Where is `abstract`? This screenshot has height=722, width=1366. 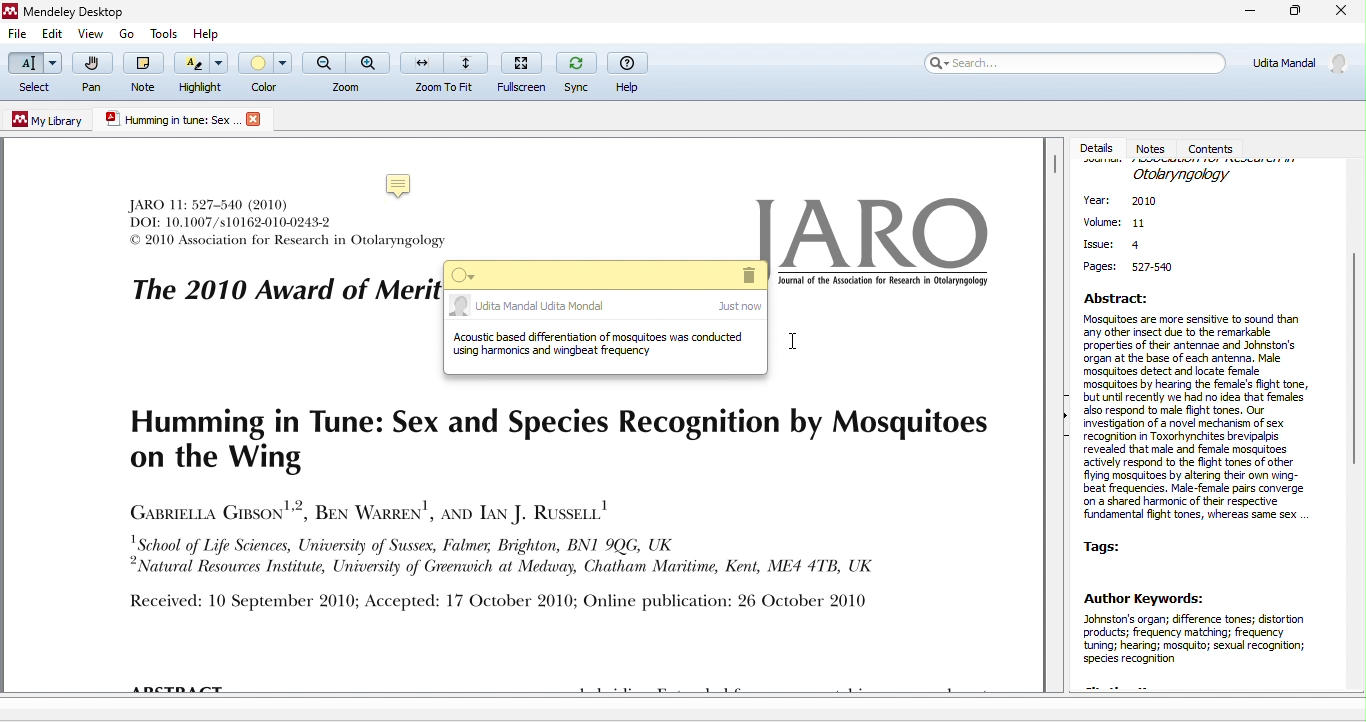
abstract is located at coordinates (1201, 408).